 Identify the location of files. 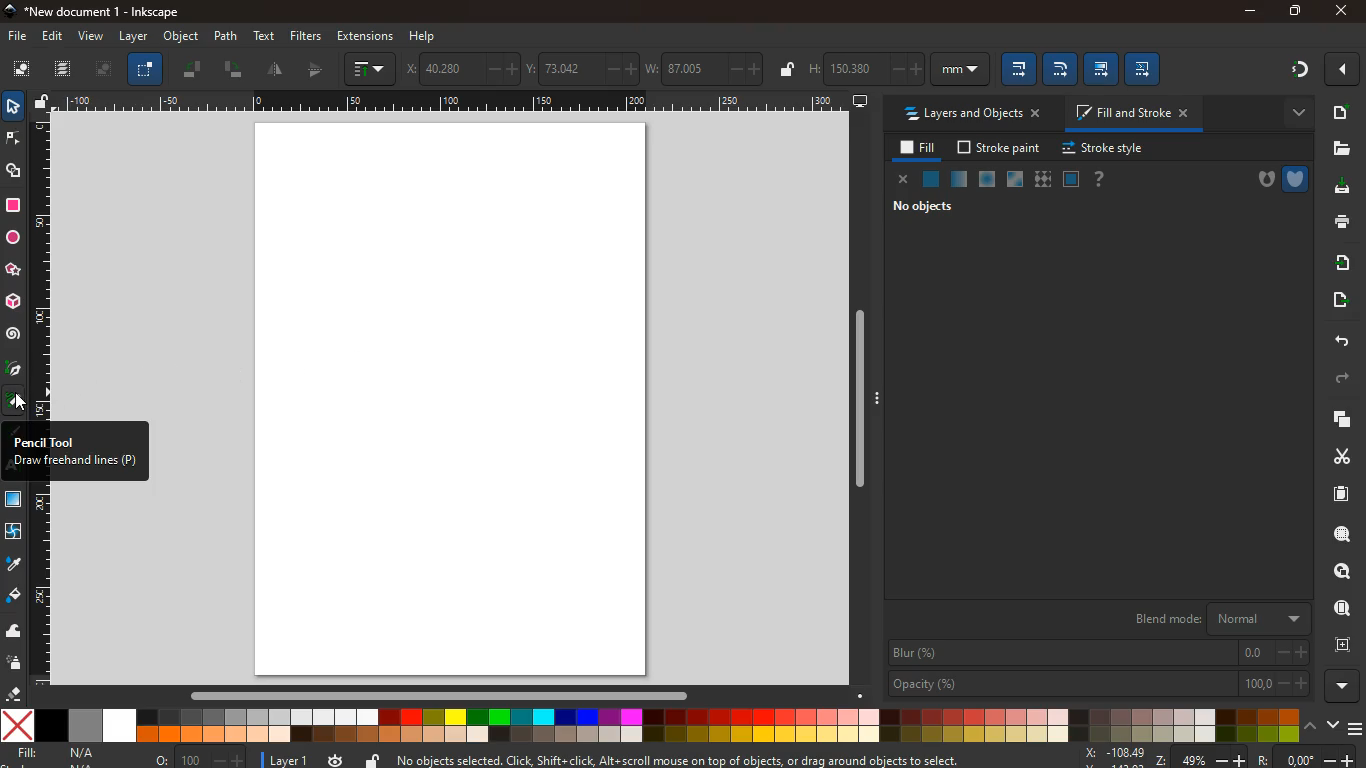
(1338, 148).